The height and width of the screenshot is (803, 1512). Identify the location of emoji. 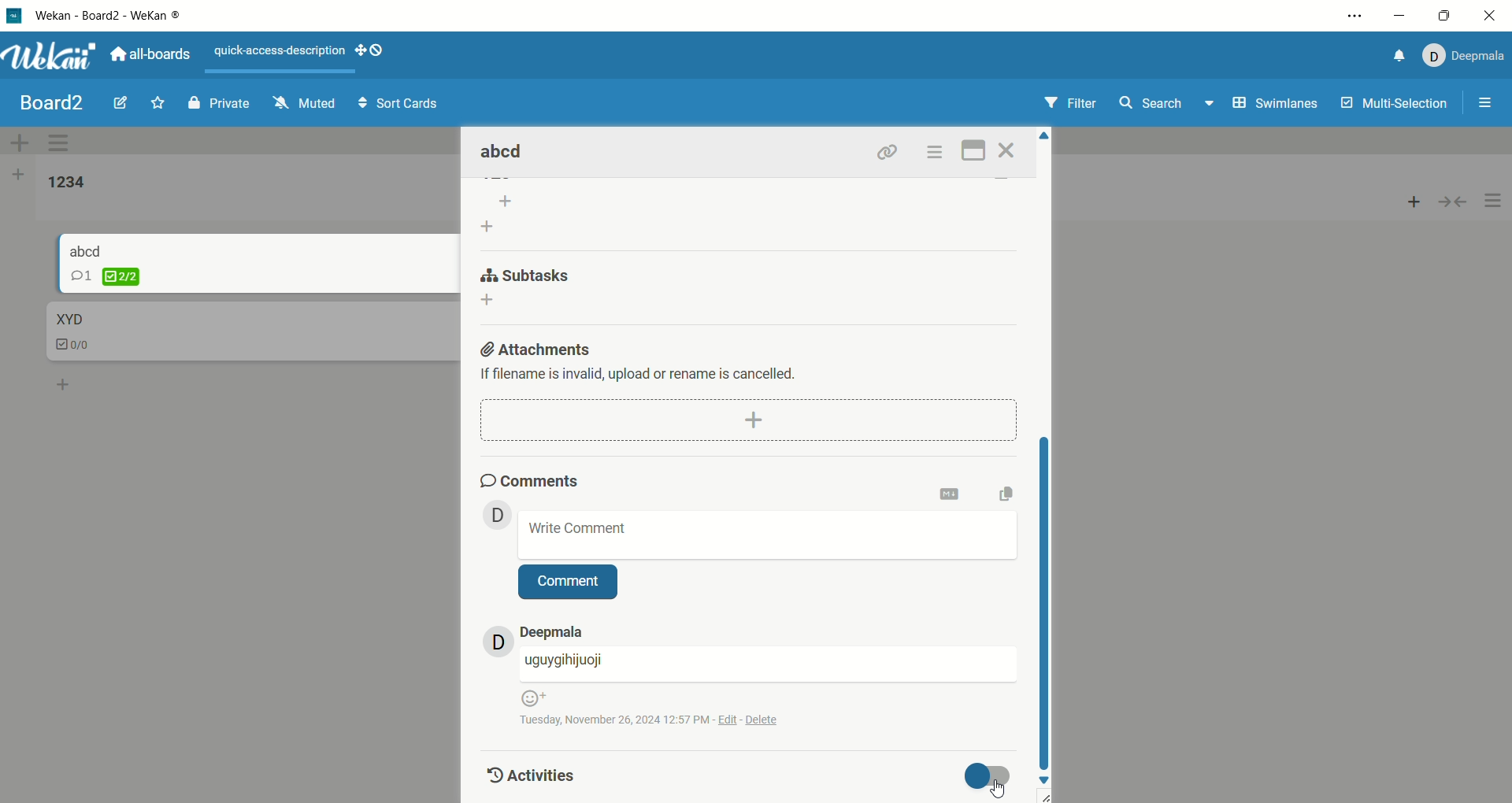
(532, 698).